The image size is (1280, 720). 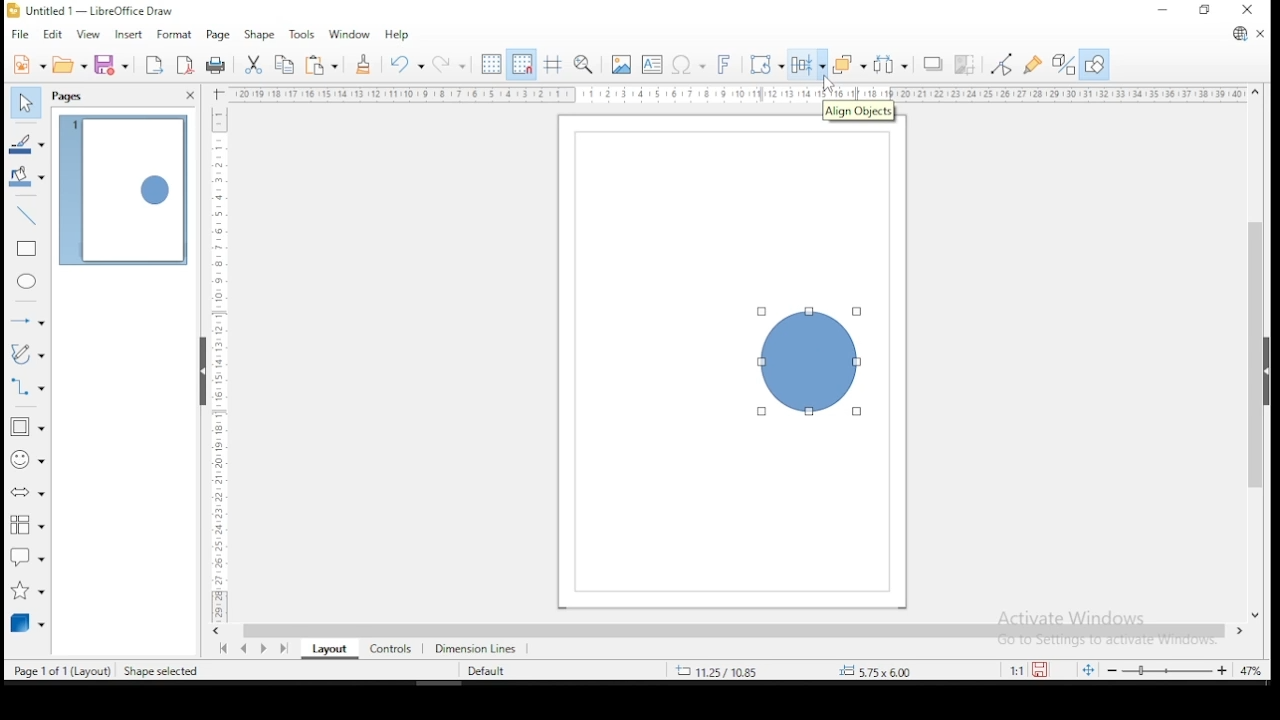 What do you see at coordinates (28, 145) in the screenshot?
I see `line color` at bounding box center [28, 145].